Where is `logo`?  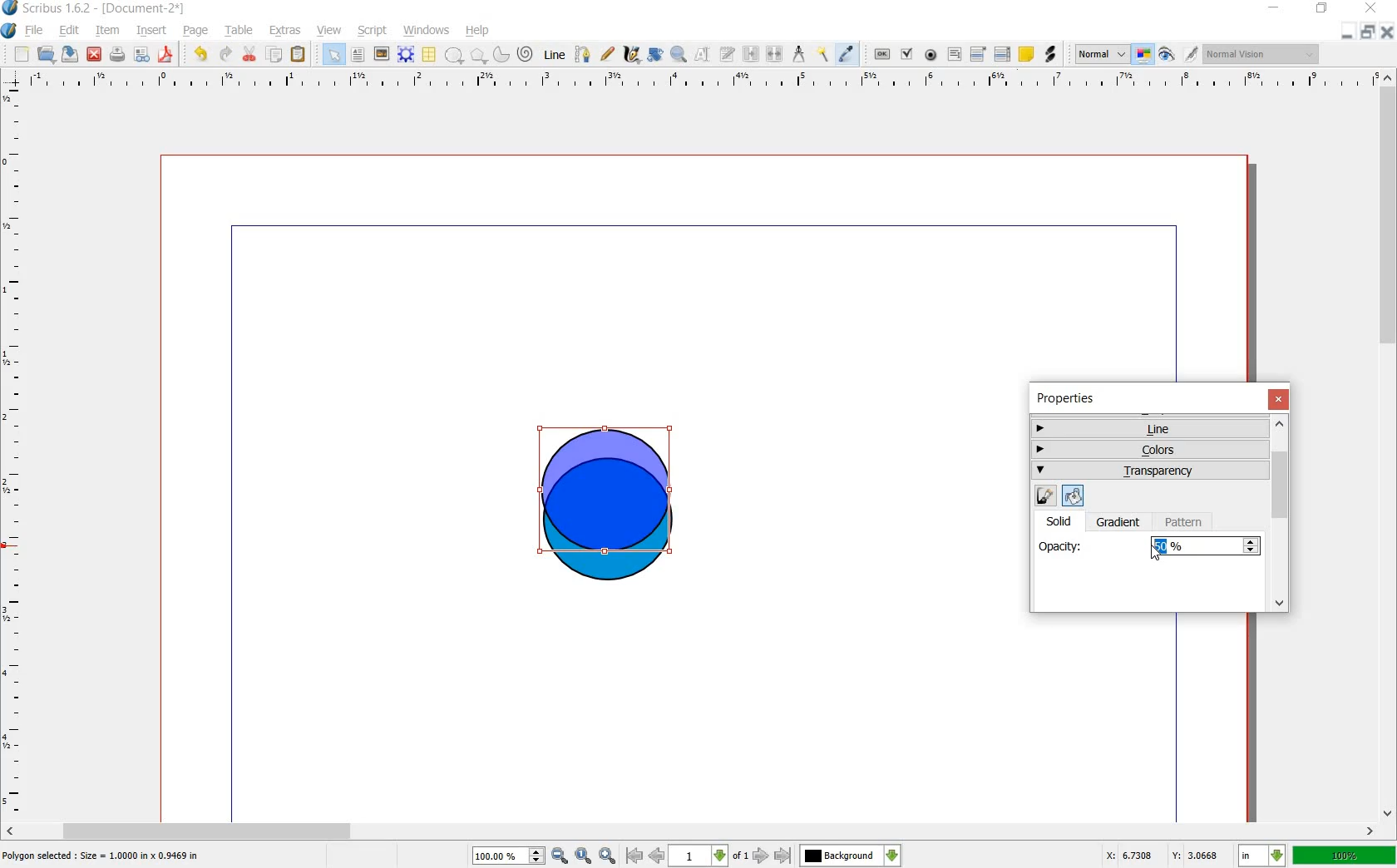
logo is located at coordinates (10, 7).